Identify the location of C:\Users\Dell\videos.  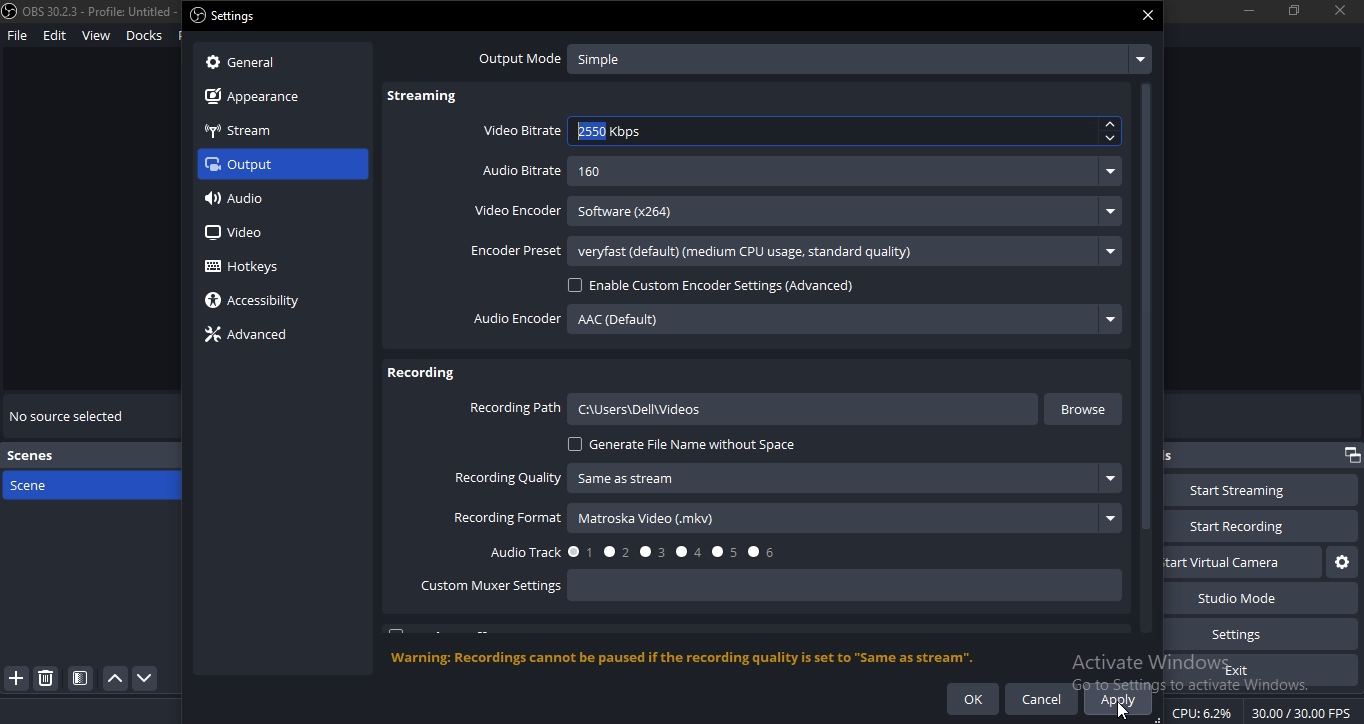
(804, 408).